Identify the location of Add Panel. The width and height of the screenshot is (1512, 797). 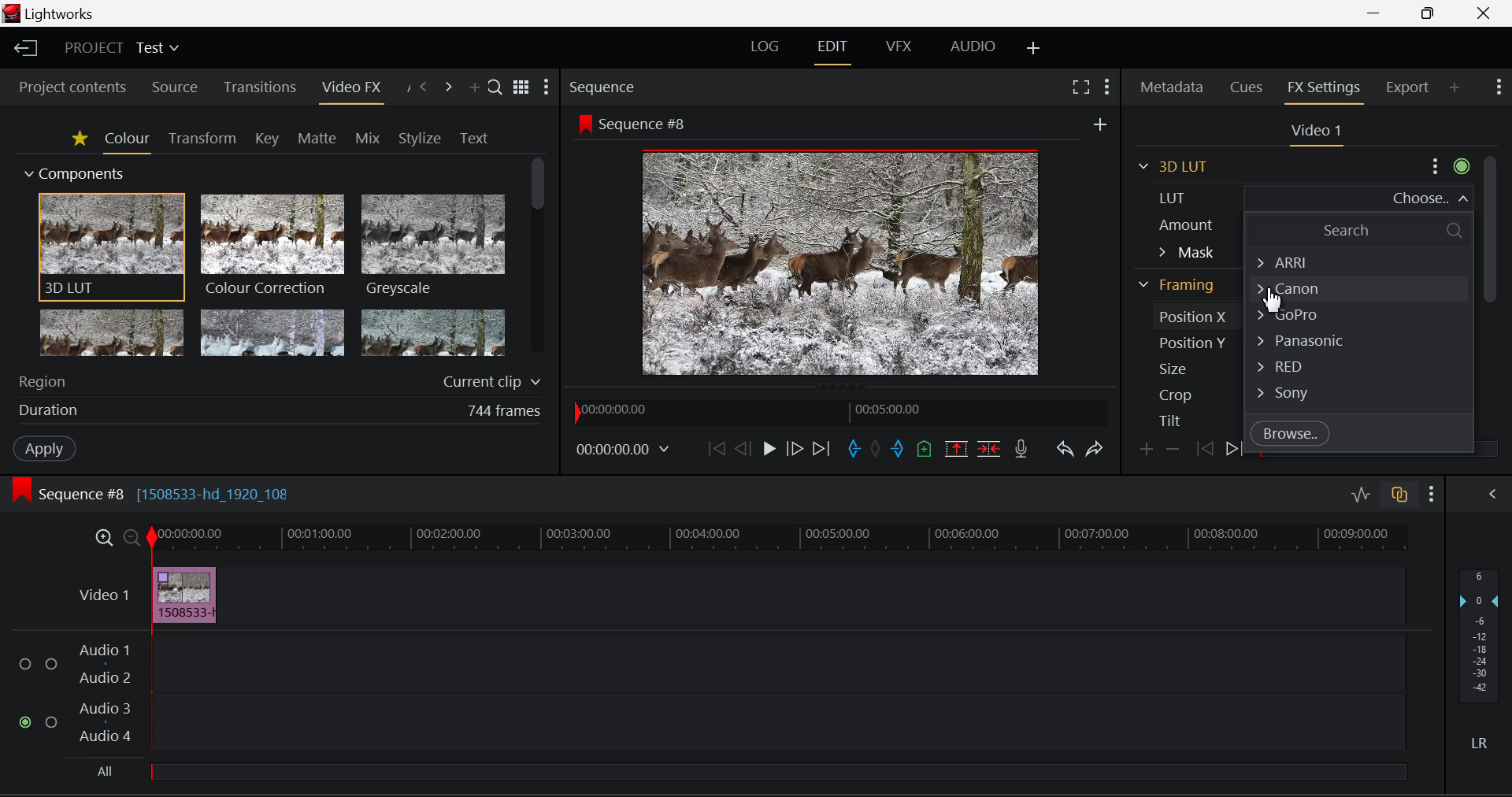
(1455, 89).